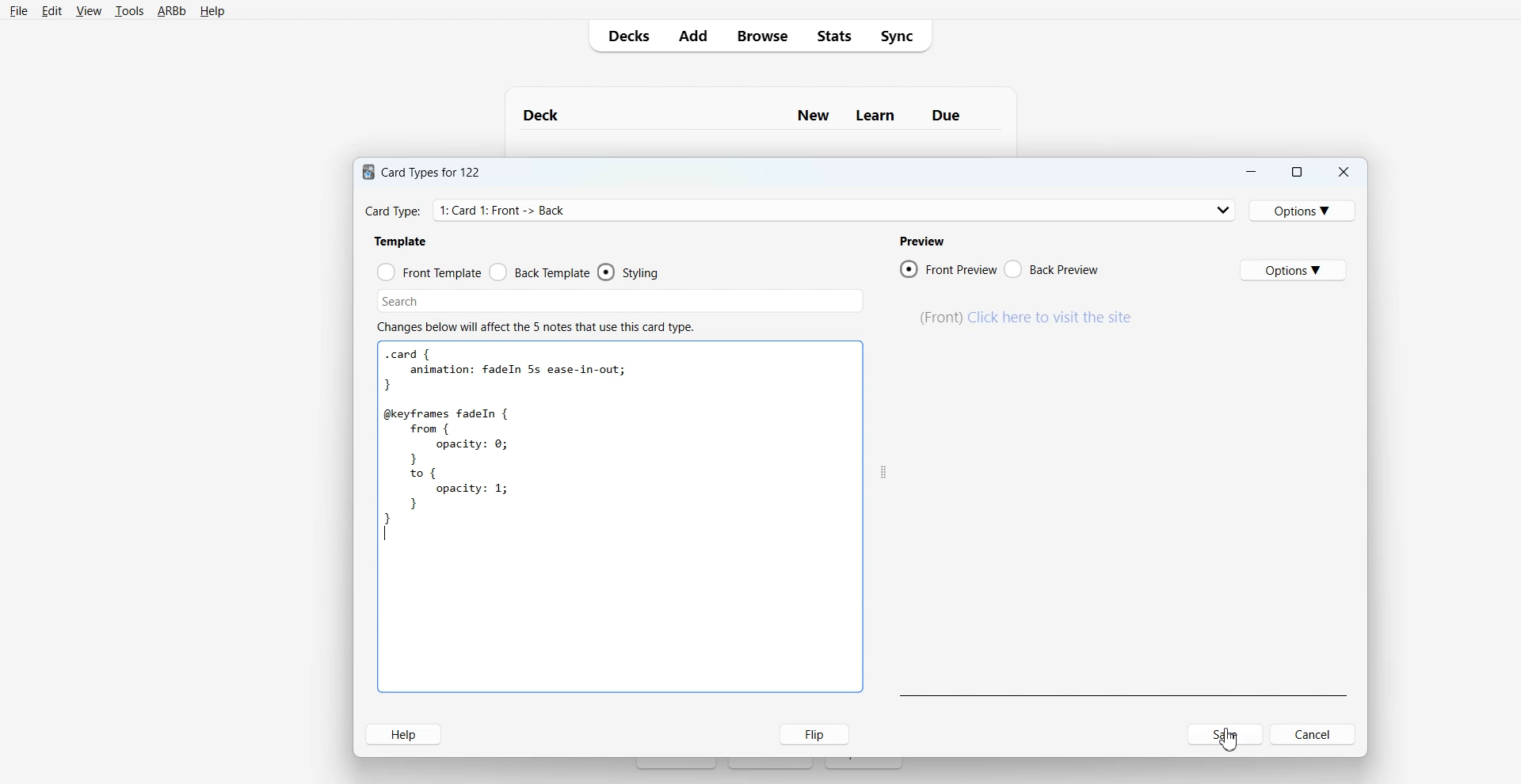 The image size is (1521, 784). I want to click on Stats, so click(836, 35).